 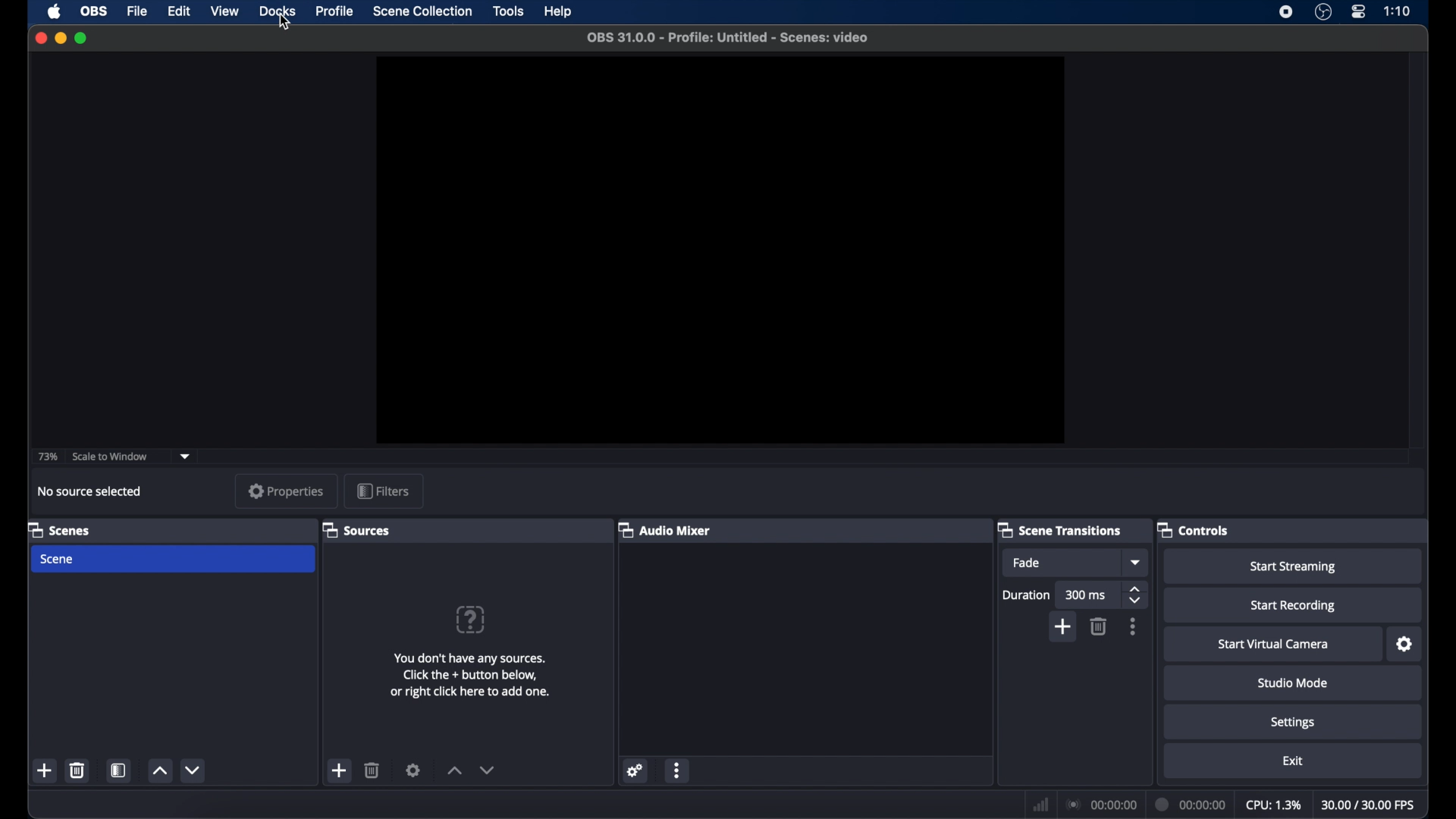 What do you see at coordinates (194, 770) in the screenshot?
I see `decrement` at bounding box center [194, 770].